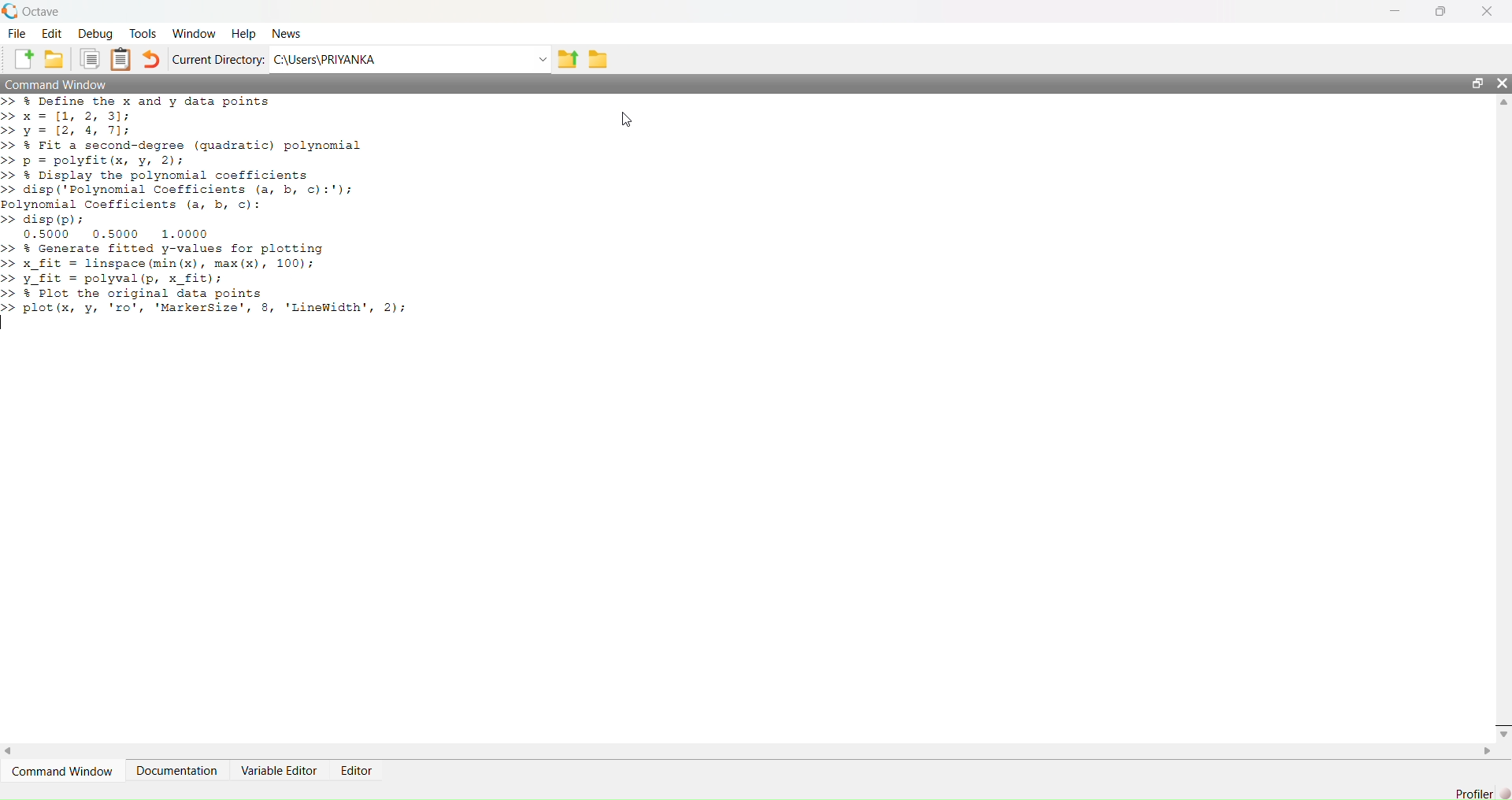  I want to click on Close, so click(1503, 728).